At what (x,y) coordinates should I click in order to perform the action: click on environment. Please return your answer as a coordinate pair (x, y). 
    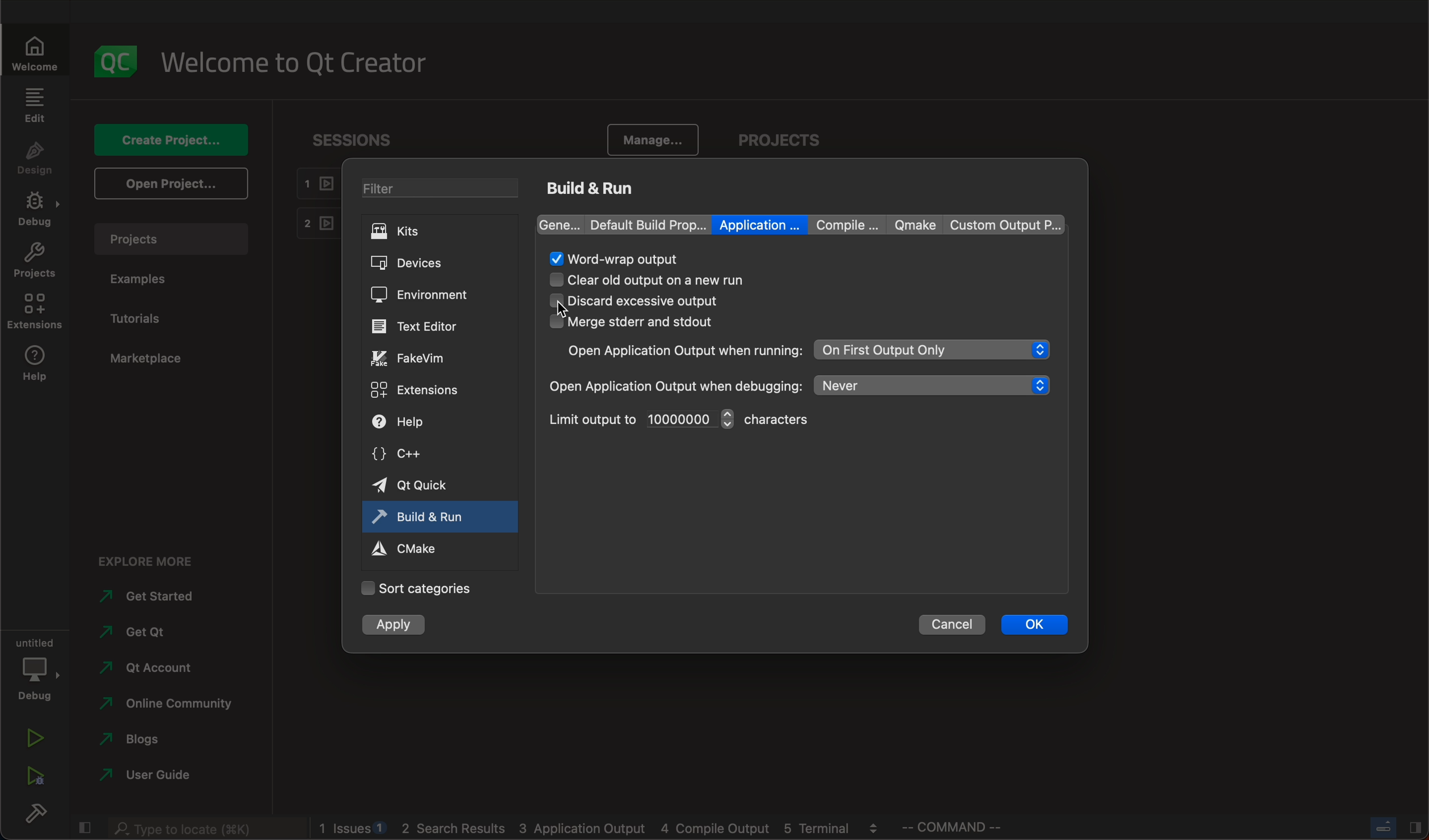
    Looking at the image, I should click on (430, 294).